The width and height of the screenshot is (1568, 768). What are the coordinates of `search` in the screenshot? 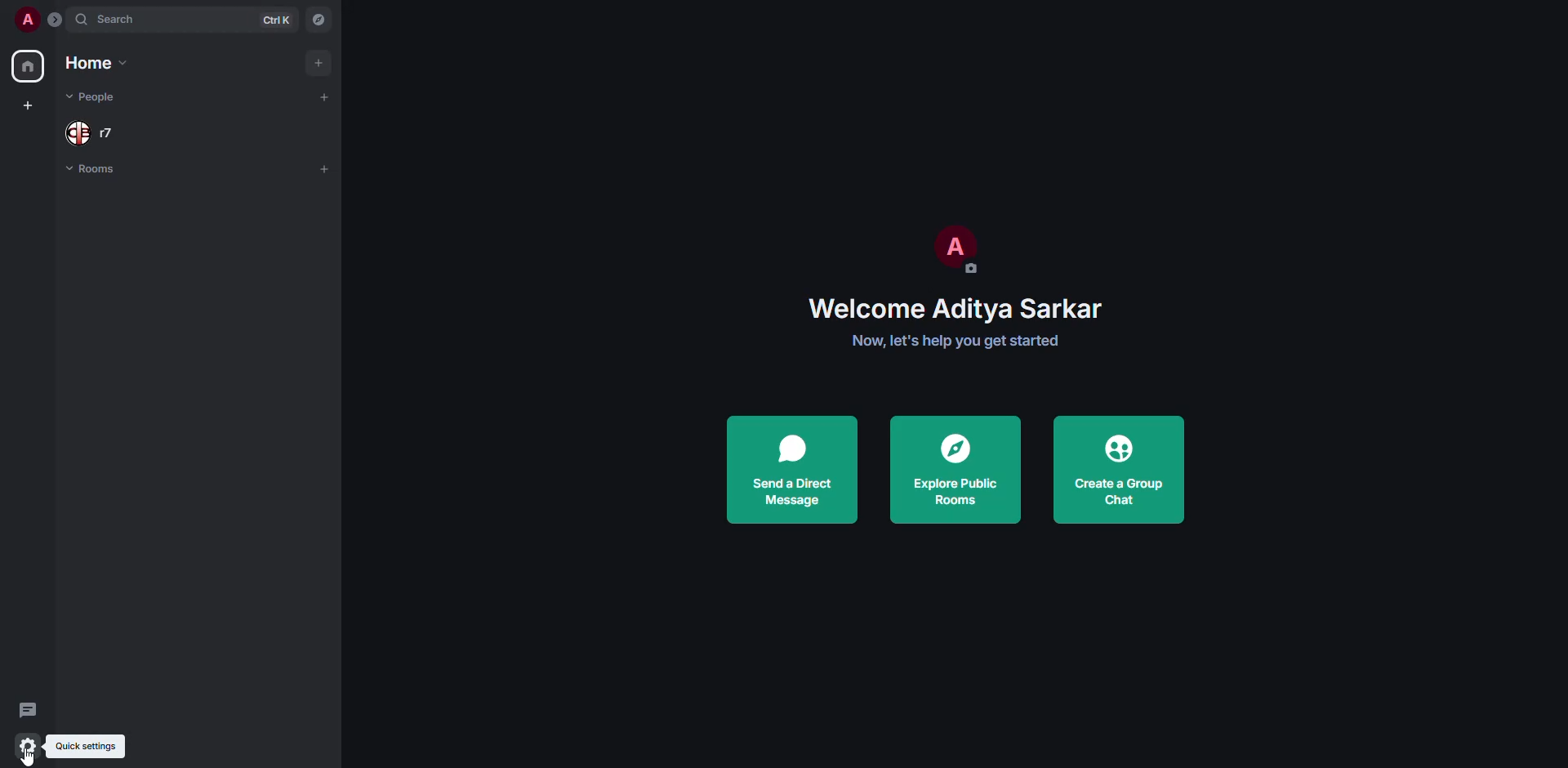 It's located at (123, 20).